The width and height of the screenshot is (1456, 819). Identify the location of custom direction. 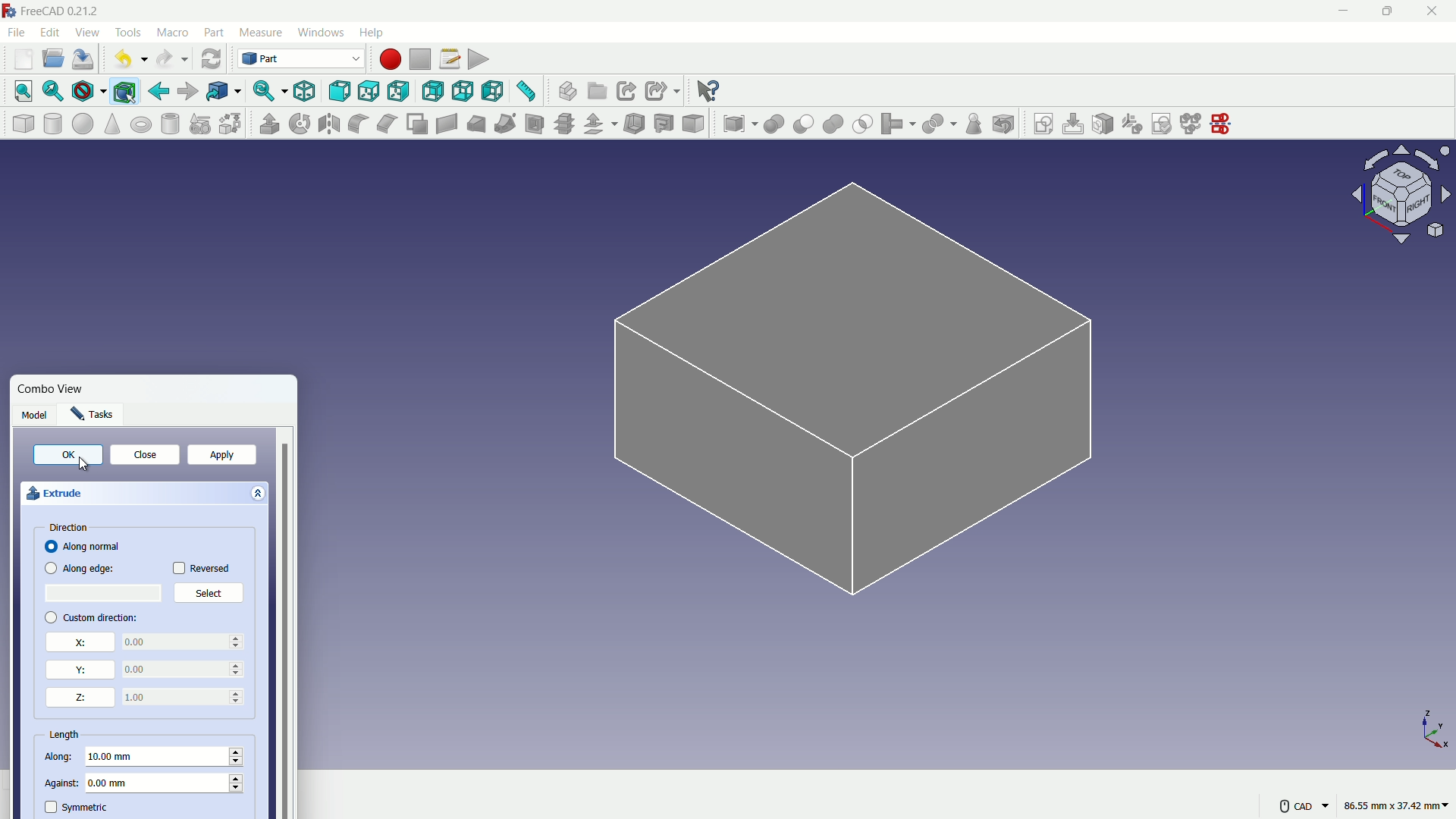
(101, 619).